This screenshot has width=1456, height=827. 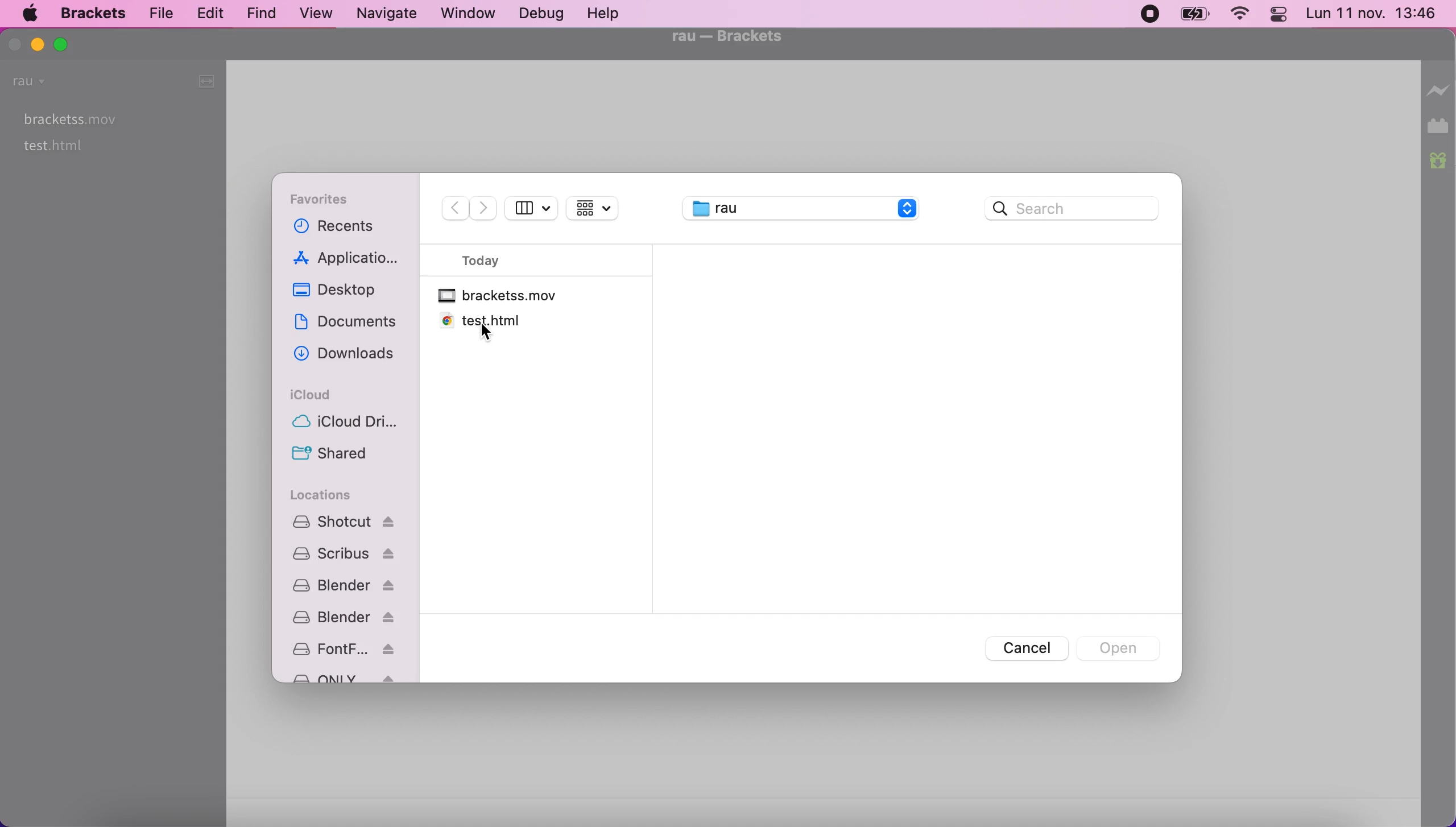 What do you see at coordinates (1239, 16) in the screenshot?
I see `wifi` at bounding box center [1239, 16].